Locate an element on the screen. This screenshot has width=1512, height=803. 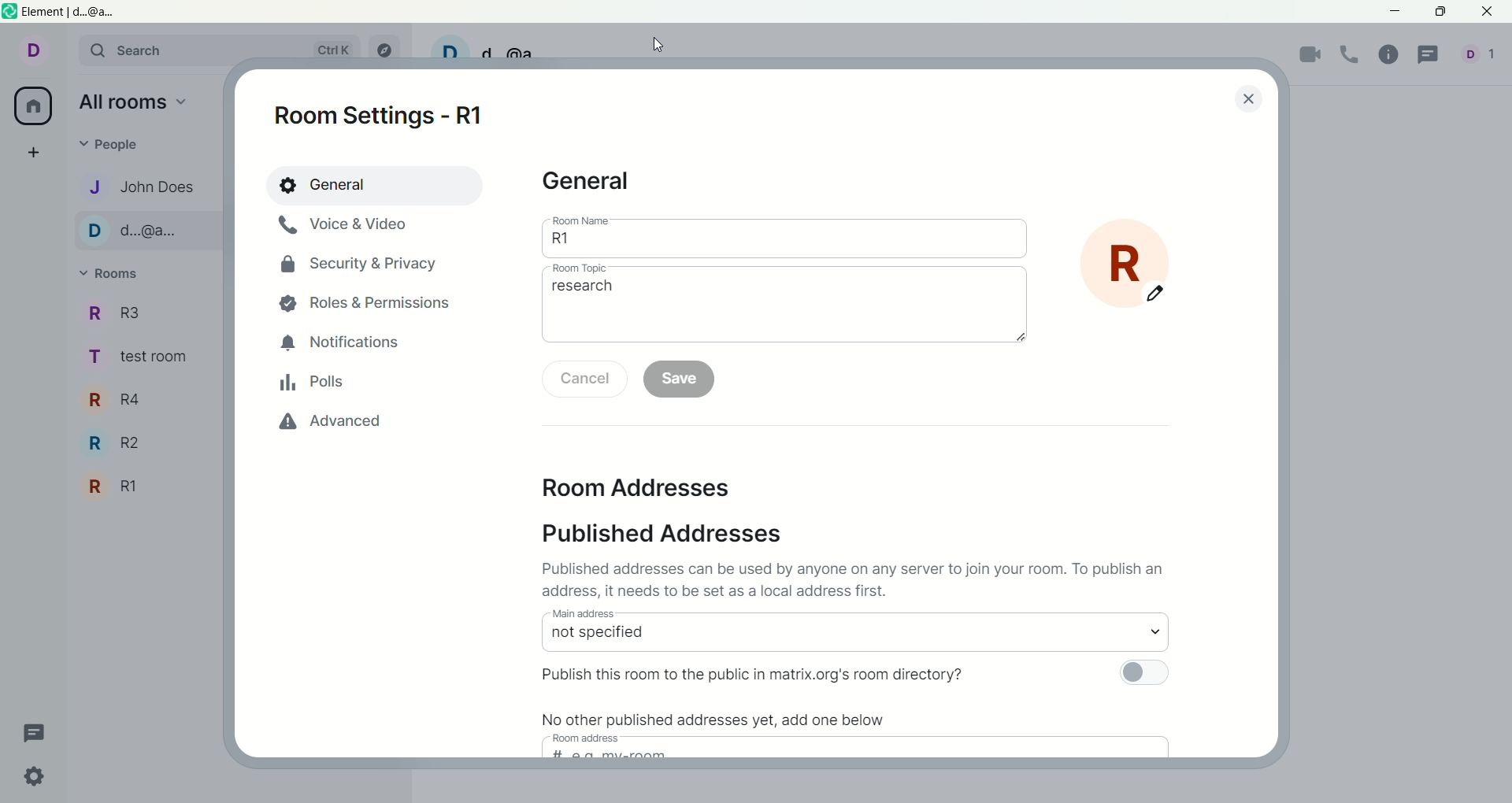
t test room is located at coordinates (147, 361).